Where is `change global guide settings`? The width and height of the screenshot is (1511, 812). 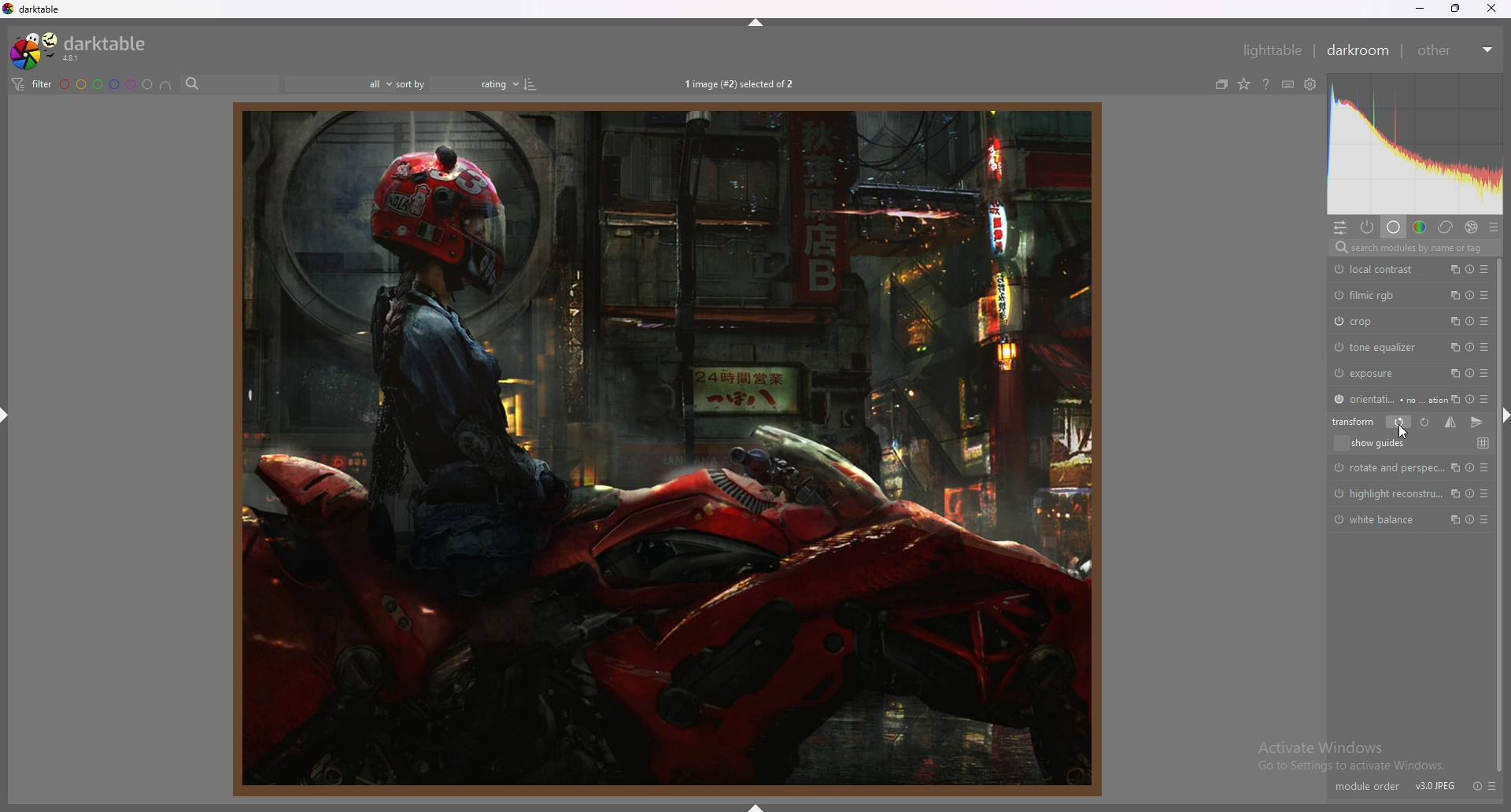 change global guide settings is located at coordinates (1483, 443).